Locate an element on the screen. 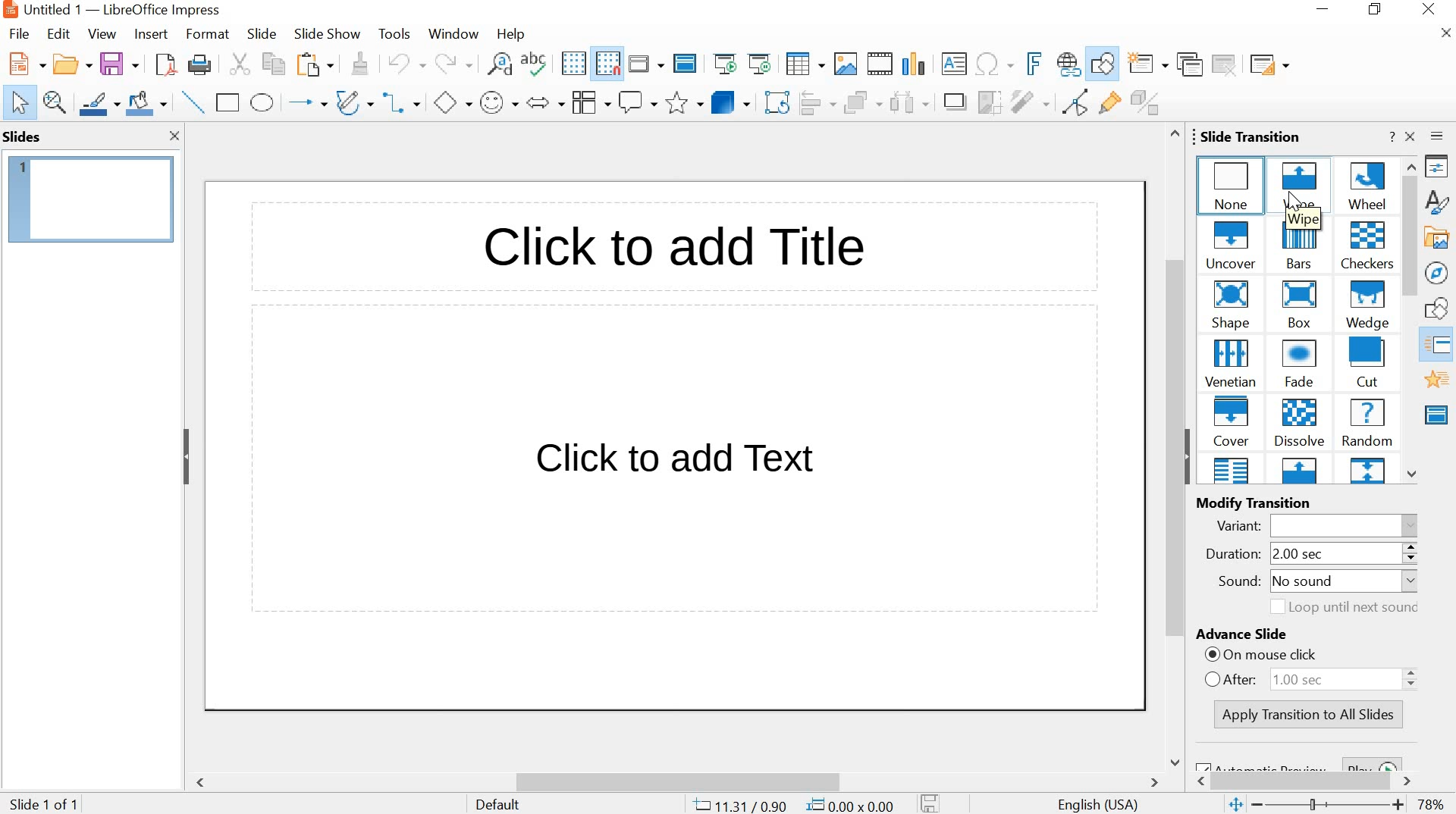 Image resolution: width=1456 pixels, height=814 pixels. cursor is located at coordinates (1289, 202).